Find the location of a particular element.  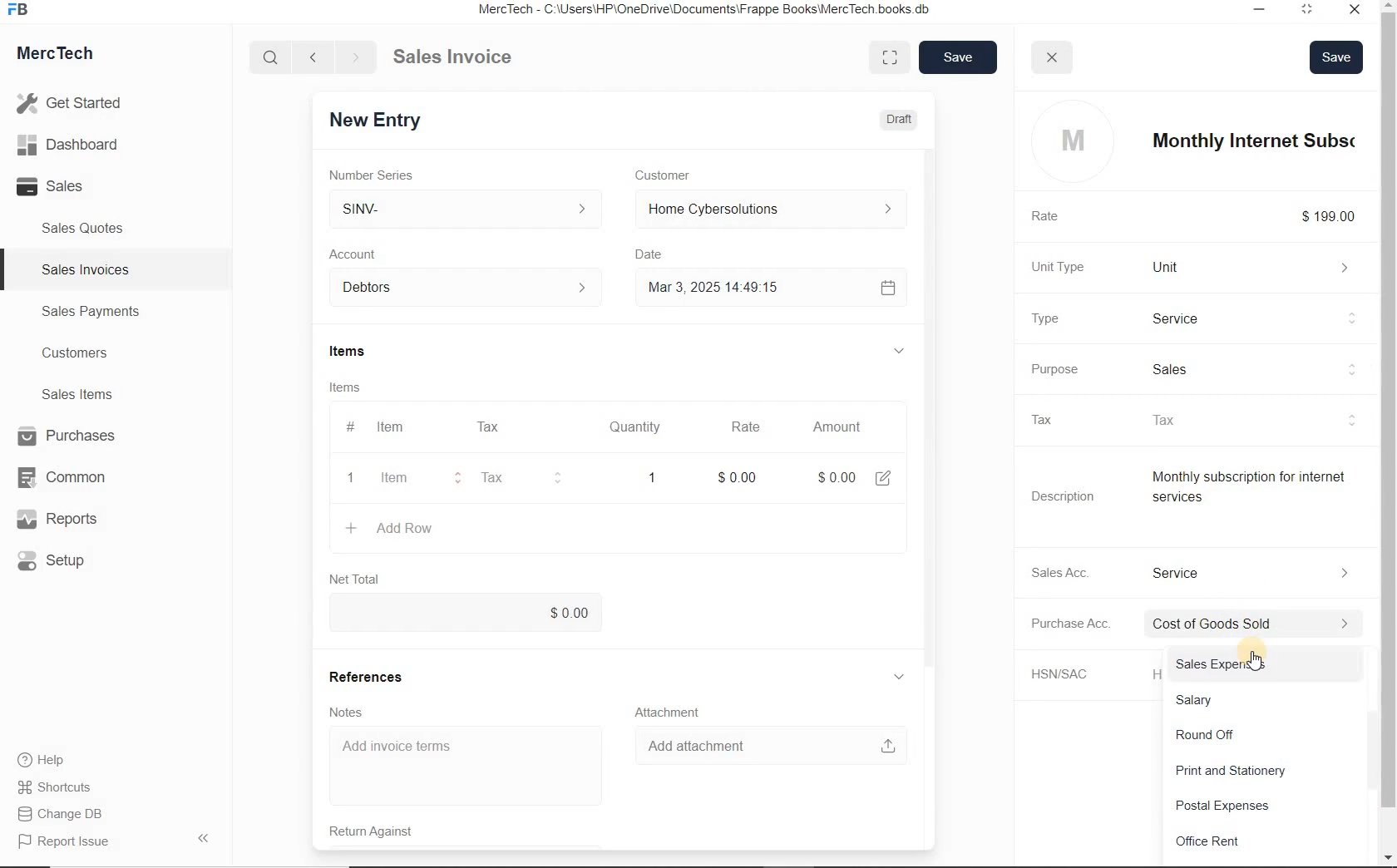

Maximum is located at coordinates (1315, 12).